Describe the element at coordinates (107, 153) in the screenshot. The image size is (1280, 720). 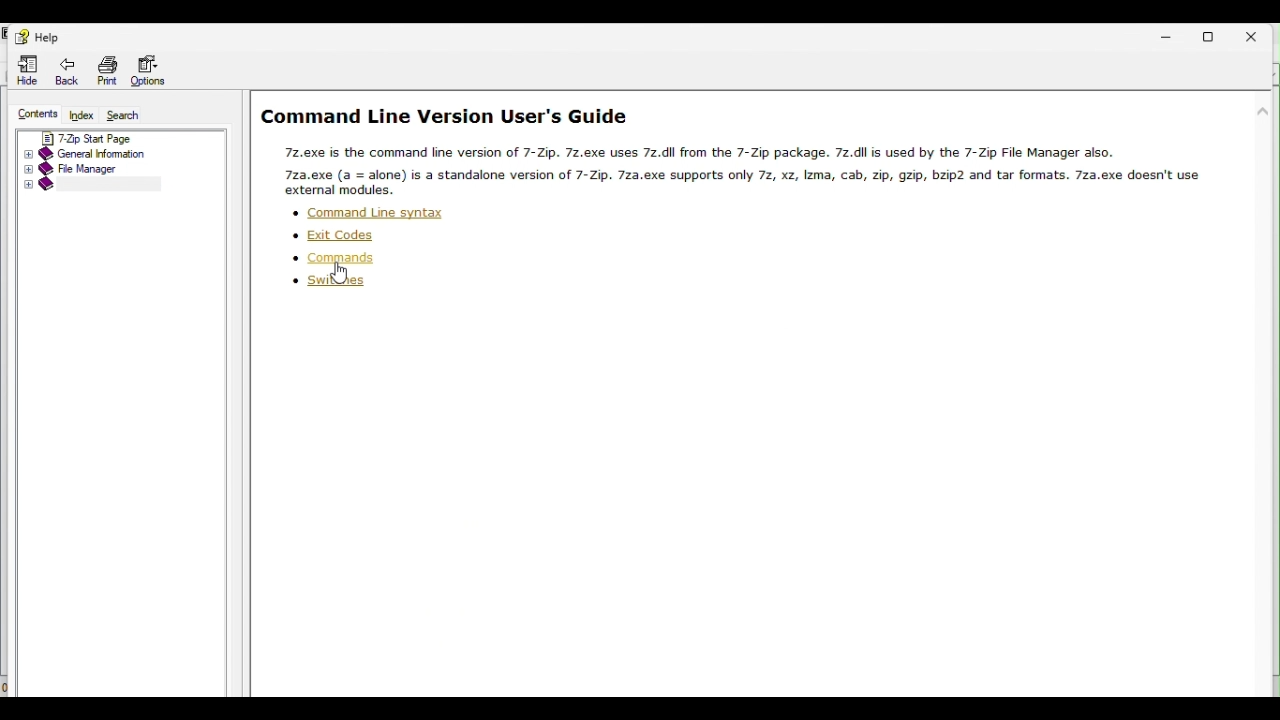
I see `General information` at that location.